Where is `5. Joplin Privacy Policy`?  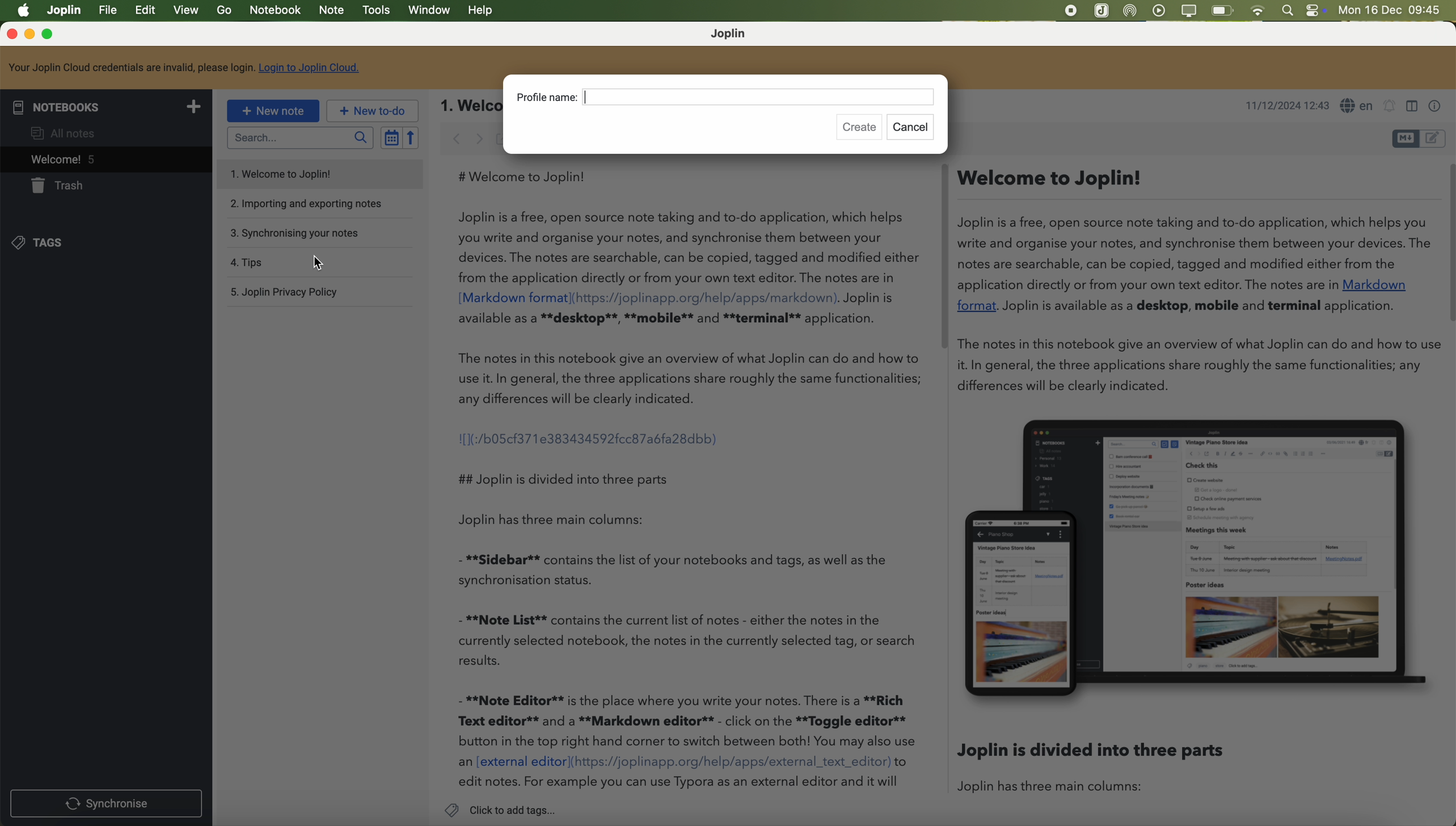 5. Joplin Privacy Policy is located at coordinates (290, 293).